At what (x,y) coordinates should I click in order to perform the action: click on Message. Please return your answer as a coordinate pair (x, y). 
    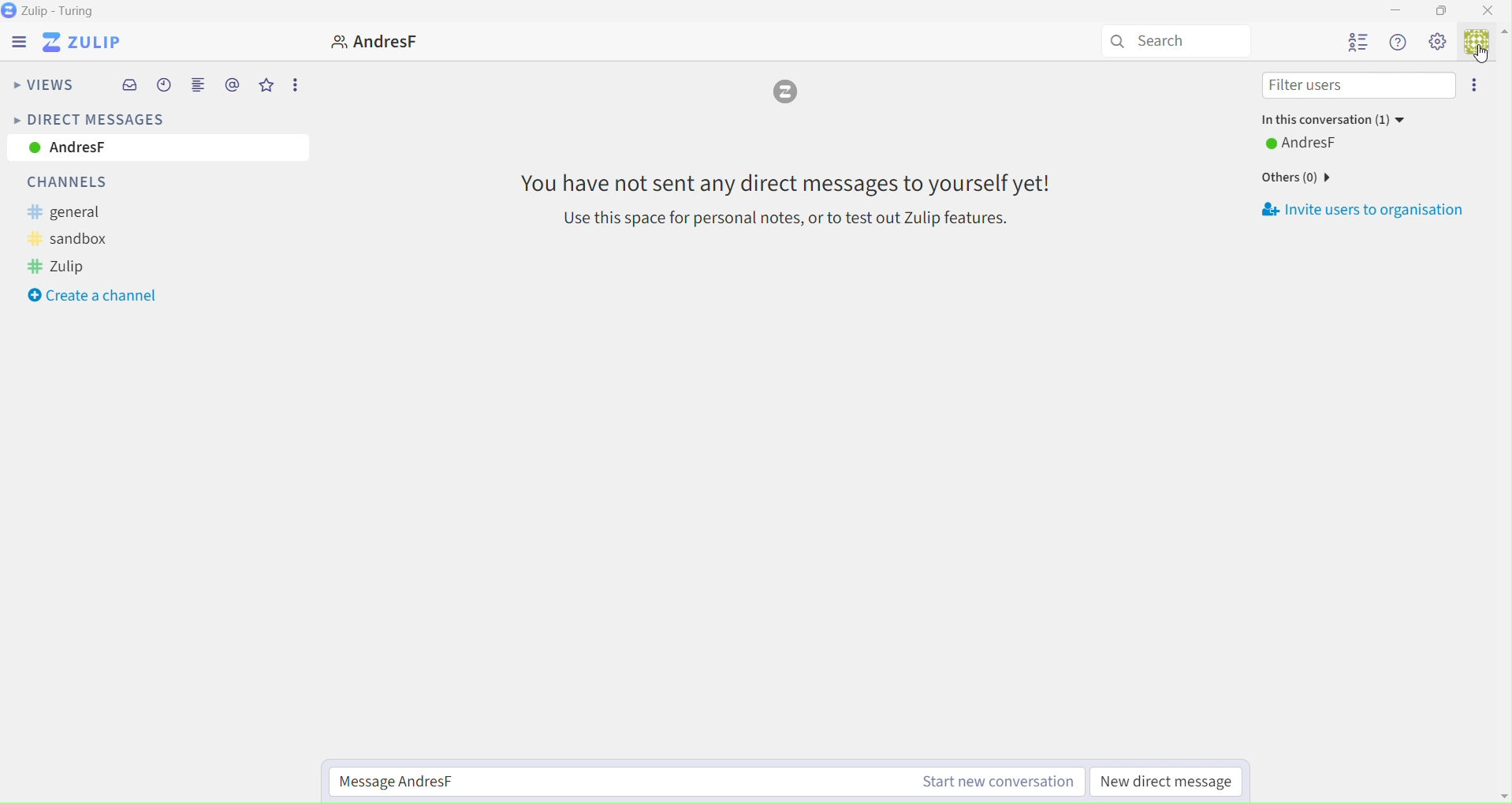
    Looking at the image, I should click on (785, 198).